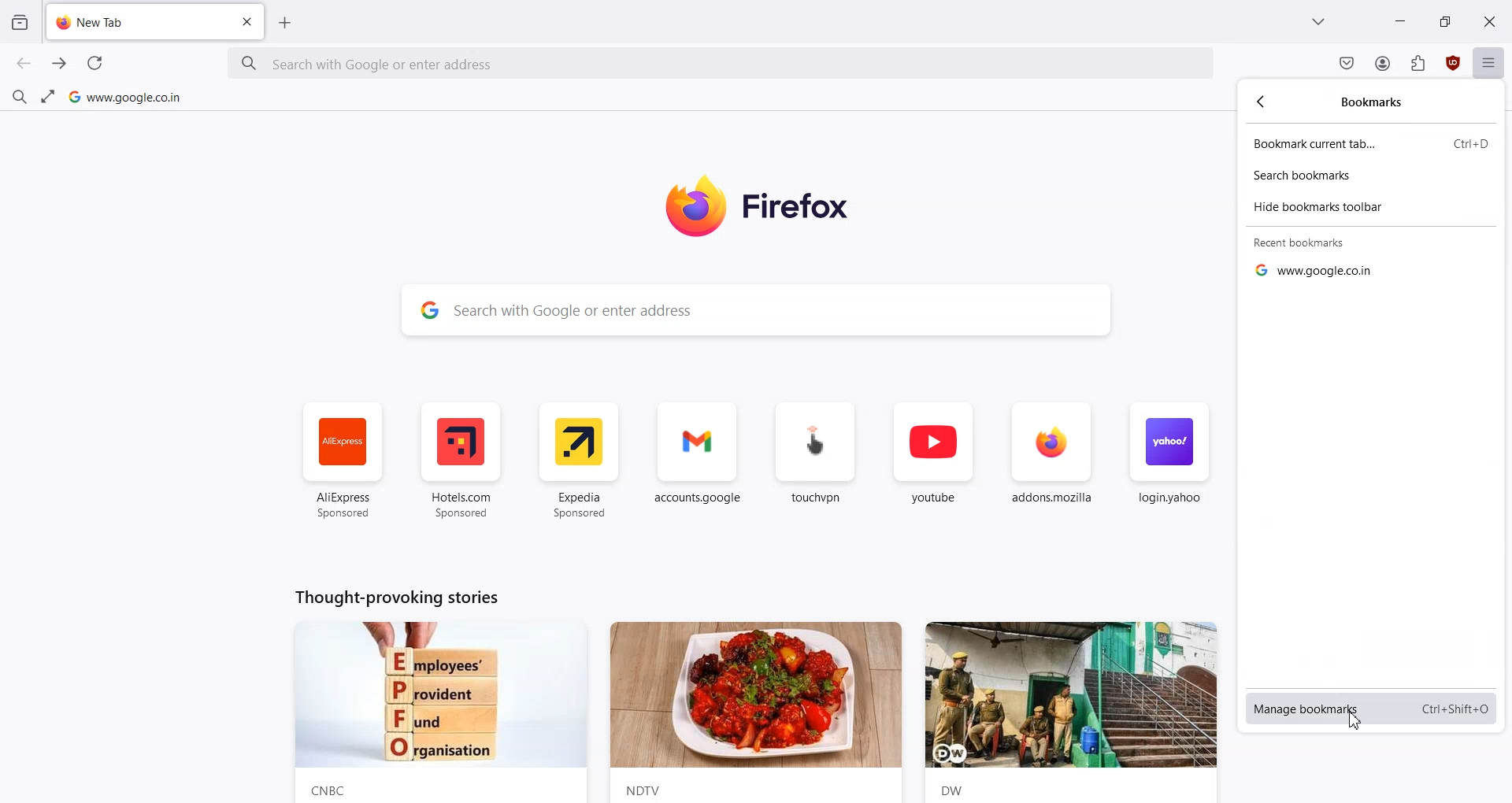  Describe the element at coordinates (438, 712) in the screenshot. I see `News` at that location.